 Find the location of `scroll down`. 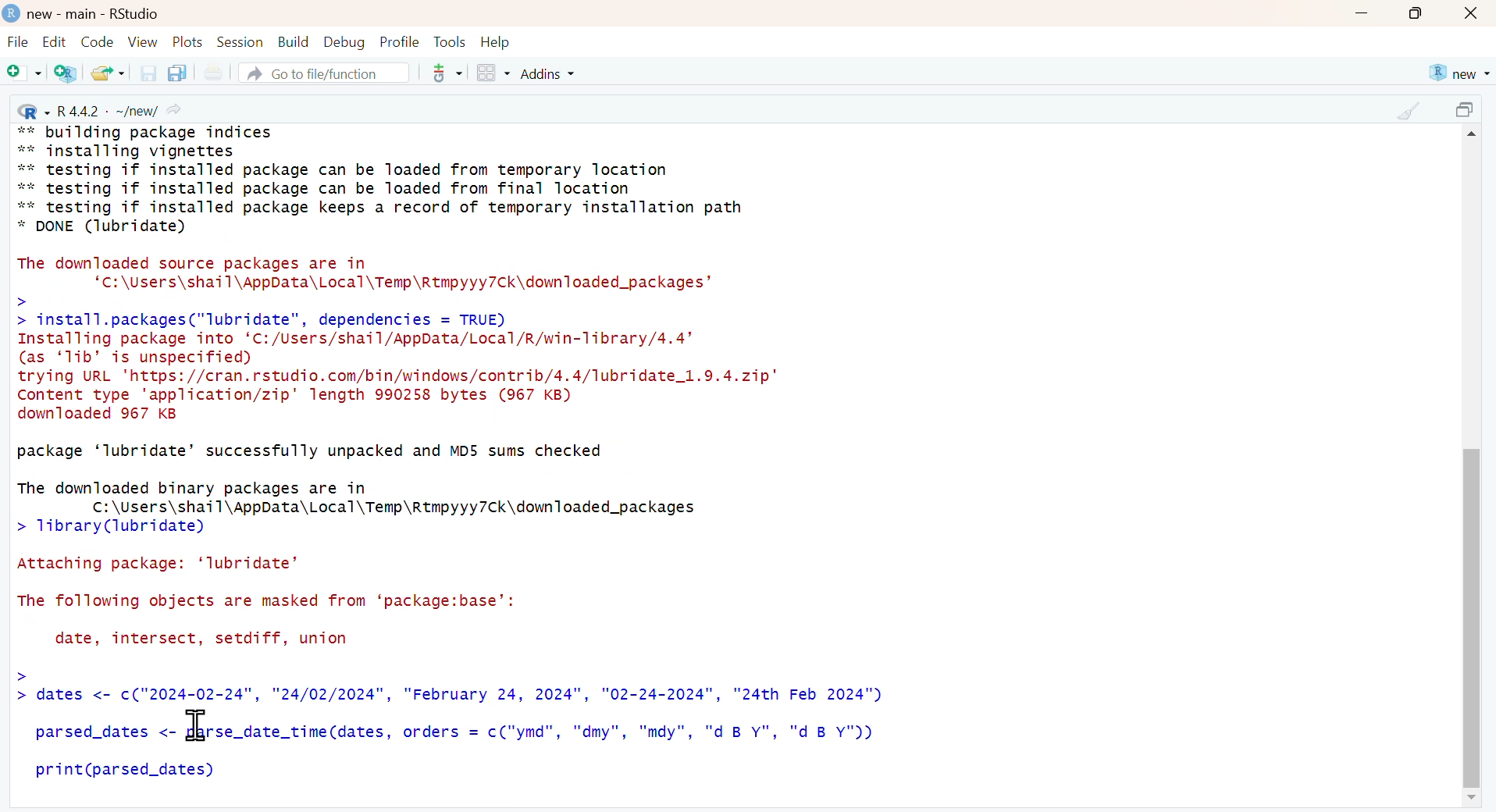

scroll down is located at coordinates (1469, 799).